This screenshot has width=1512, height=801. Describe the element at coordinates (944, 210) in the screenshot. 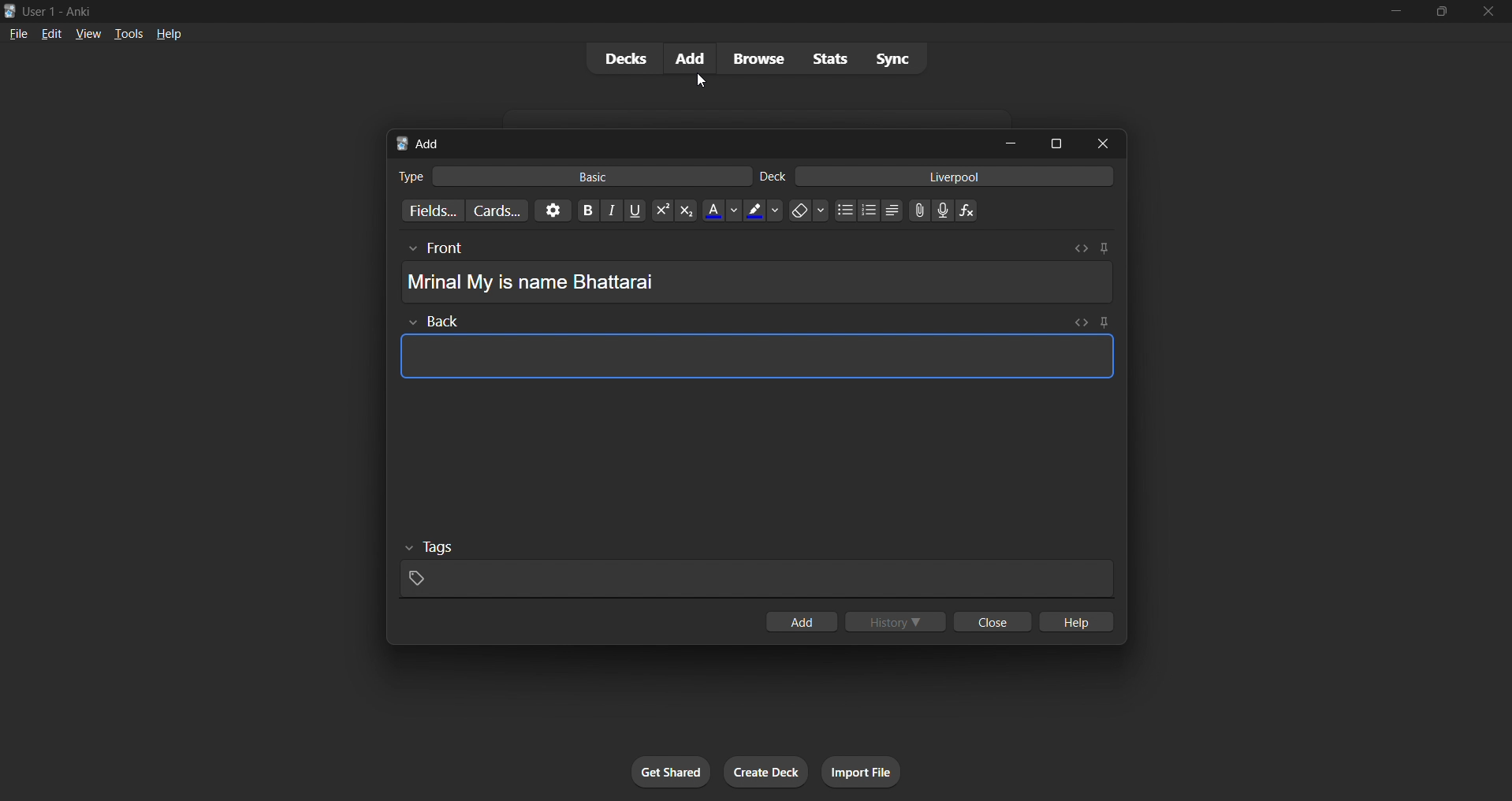

I see `record audio` at that location.